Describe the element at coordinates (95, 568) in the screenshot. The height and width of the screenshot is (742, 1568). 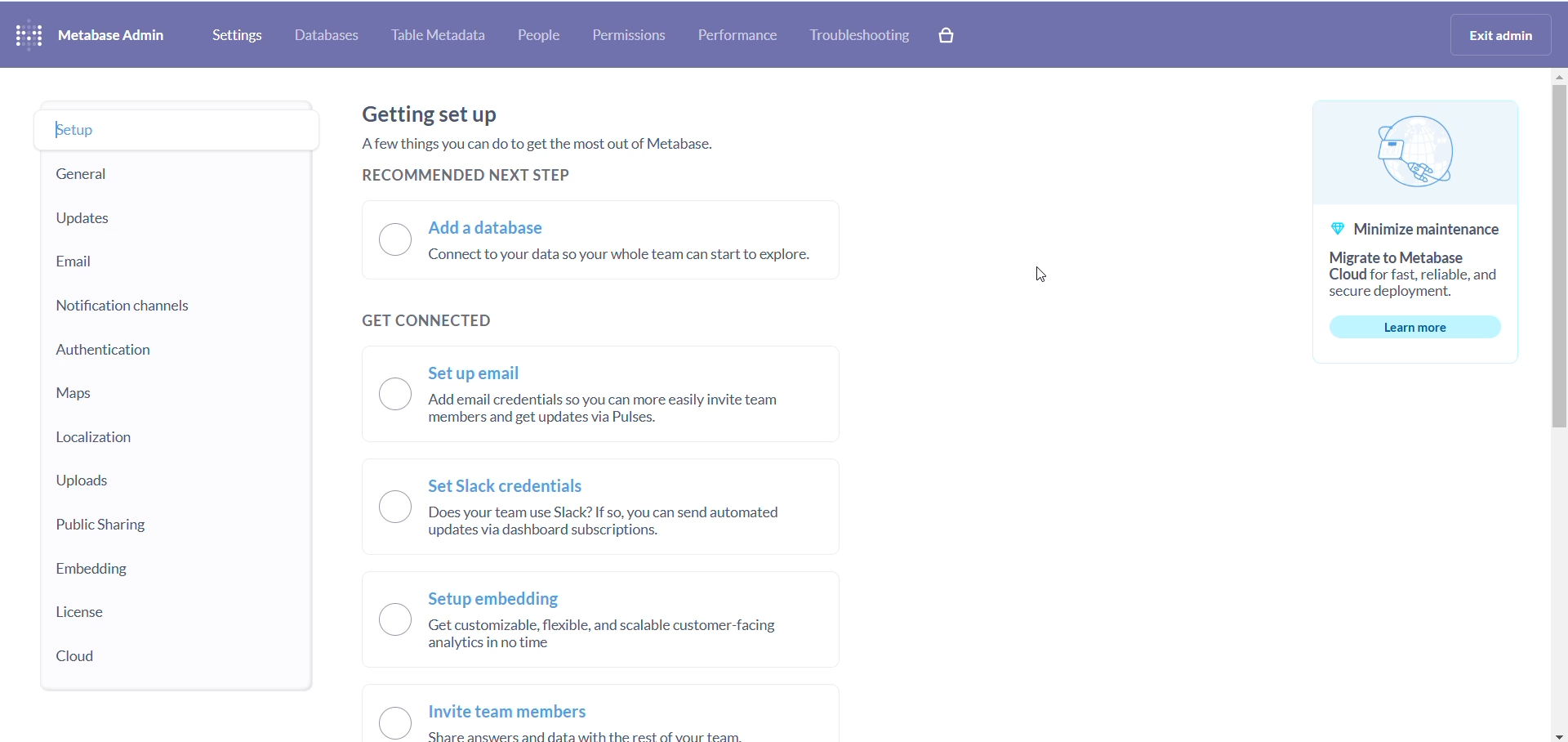
I see `embedding` at that location.